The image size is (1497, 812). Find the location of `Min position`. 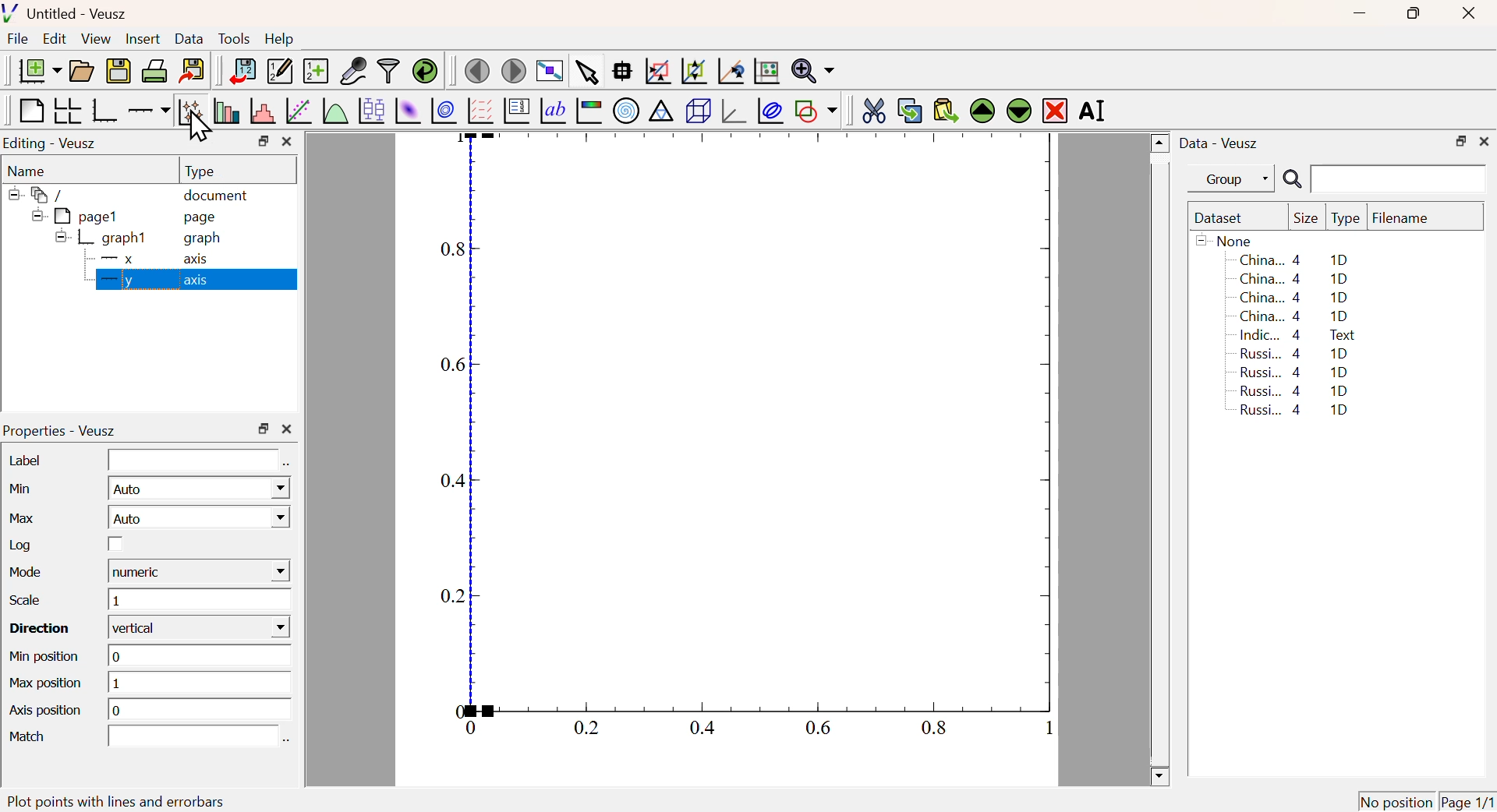

Min position is located at coordinates (47, 657).